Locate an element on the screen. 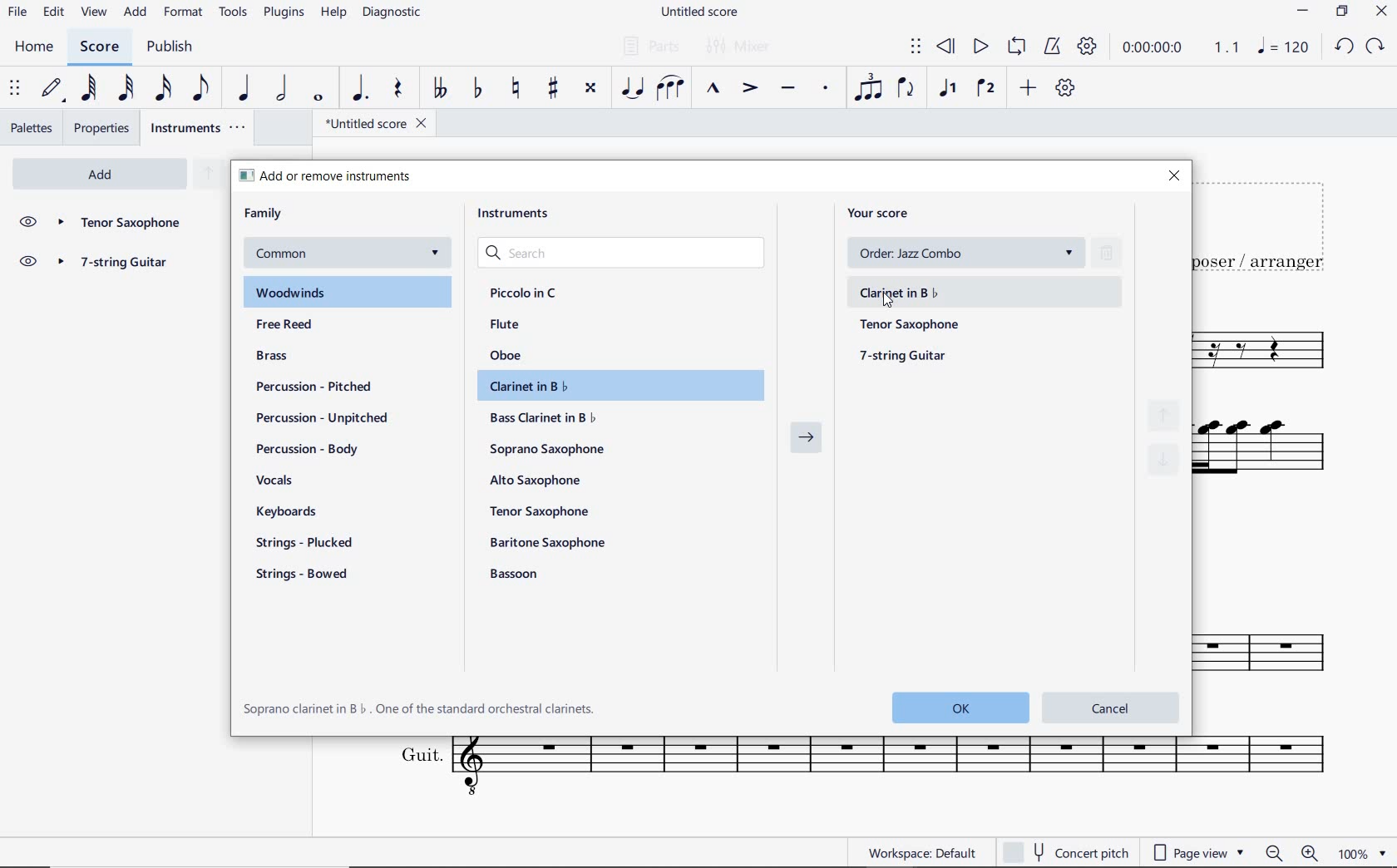 The width and height of the screenshot is (1397, 868). PLAY is located at coordinates (978, 47).